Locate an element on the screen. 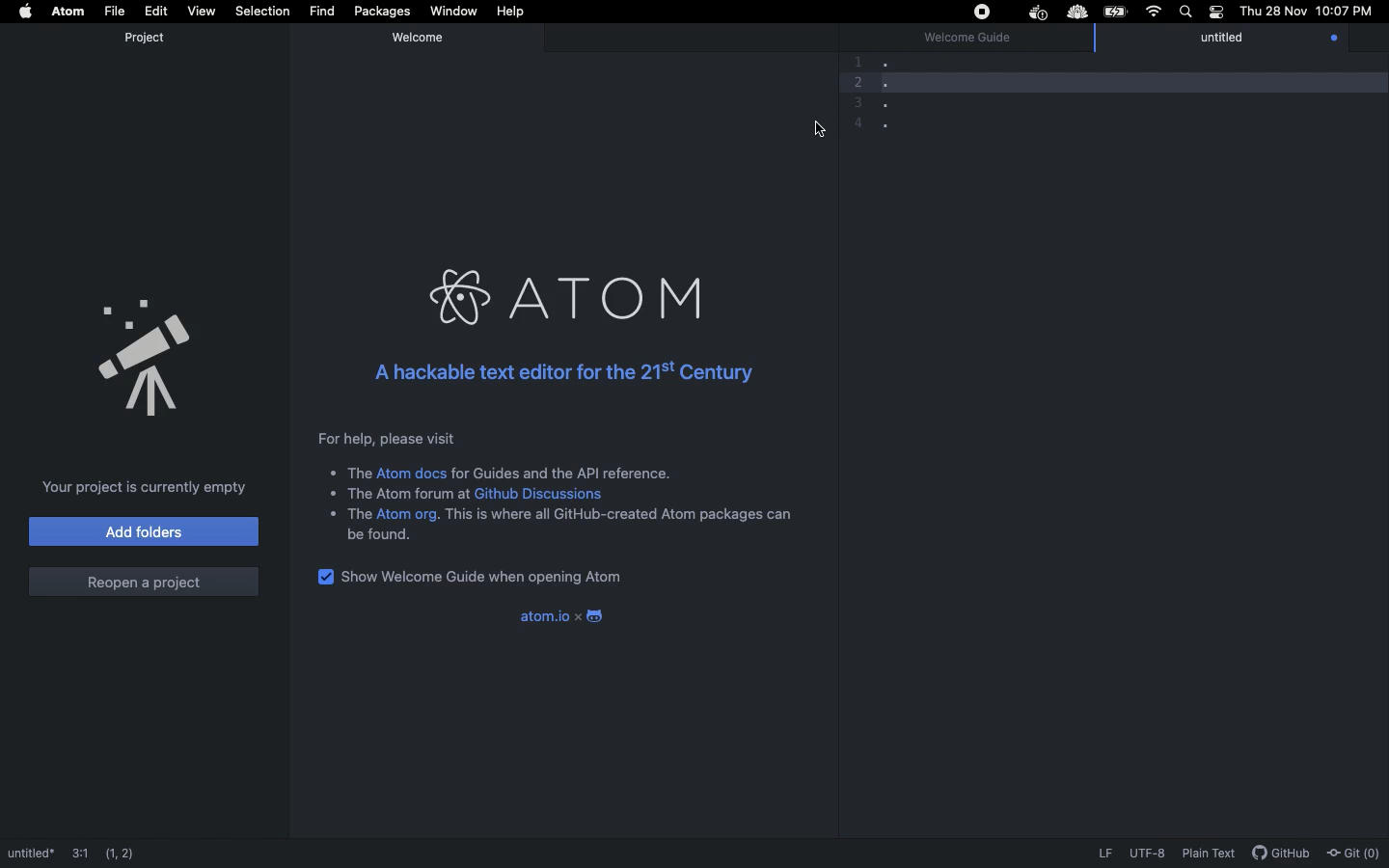  Apple logo is located at coordinates (26, 14).